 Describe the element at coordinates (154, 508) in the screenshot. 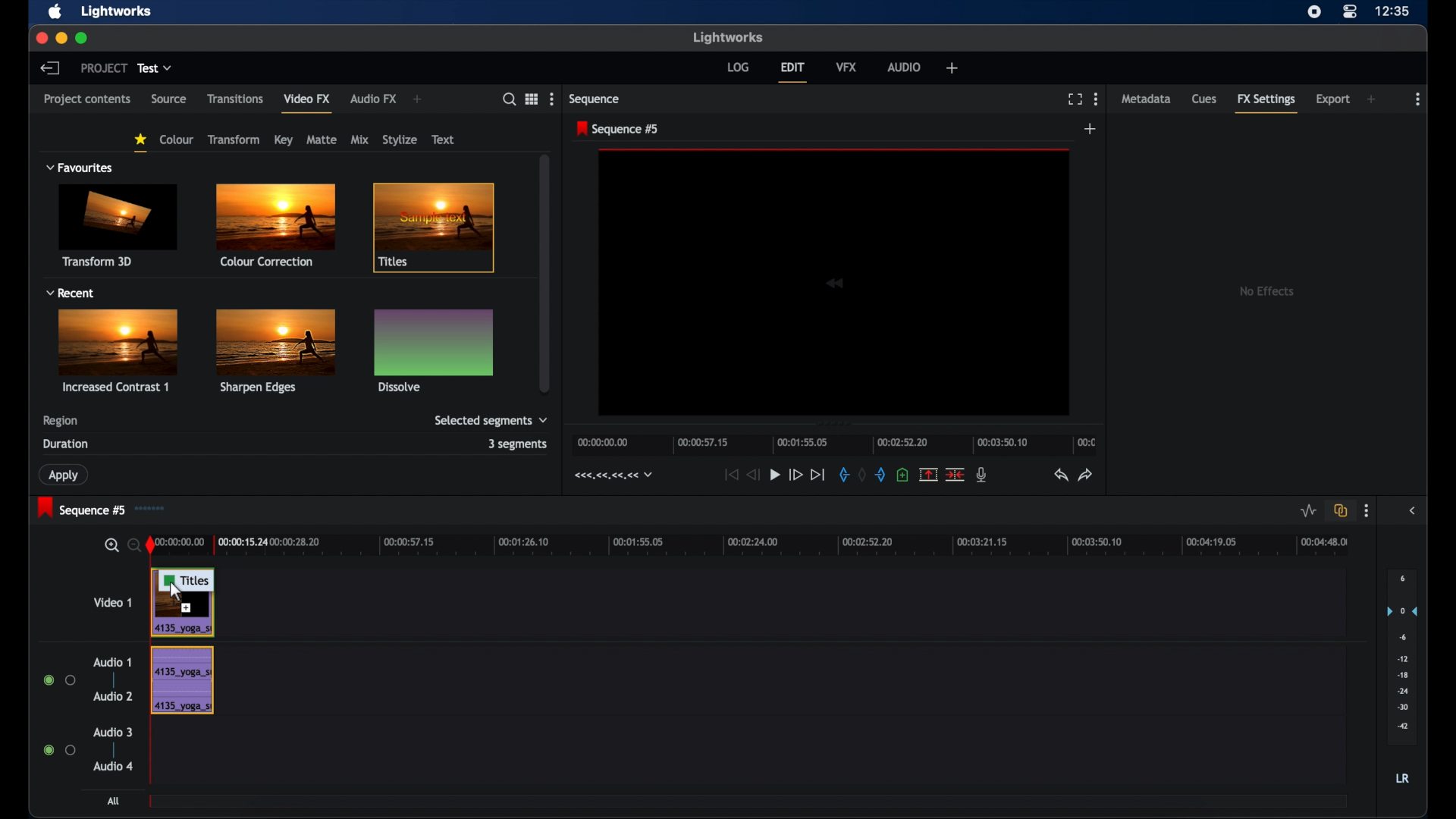

I see `sequence icon` at that location.